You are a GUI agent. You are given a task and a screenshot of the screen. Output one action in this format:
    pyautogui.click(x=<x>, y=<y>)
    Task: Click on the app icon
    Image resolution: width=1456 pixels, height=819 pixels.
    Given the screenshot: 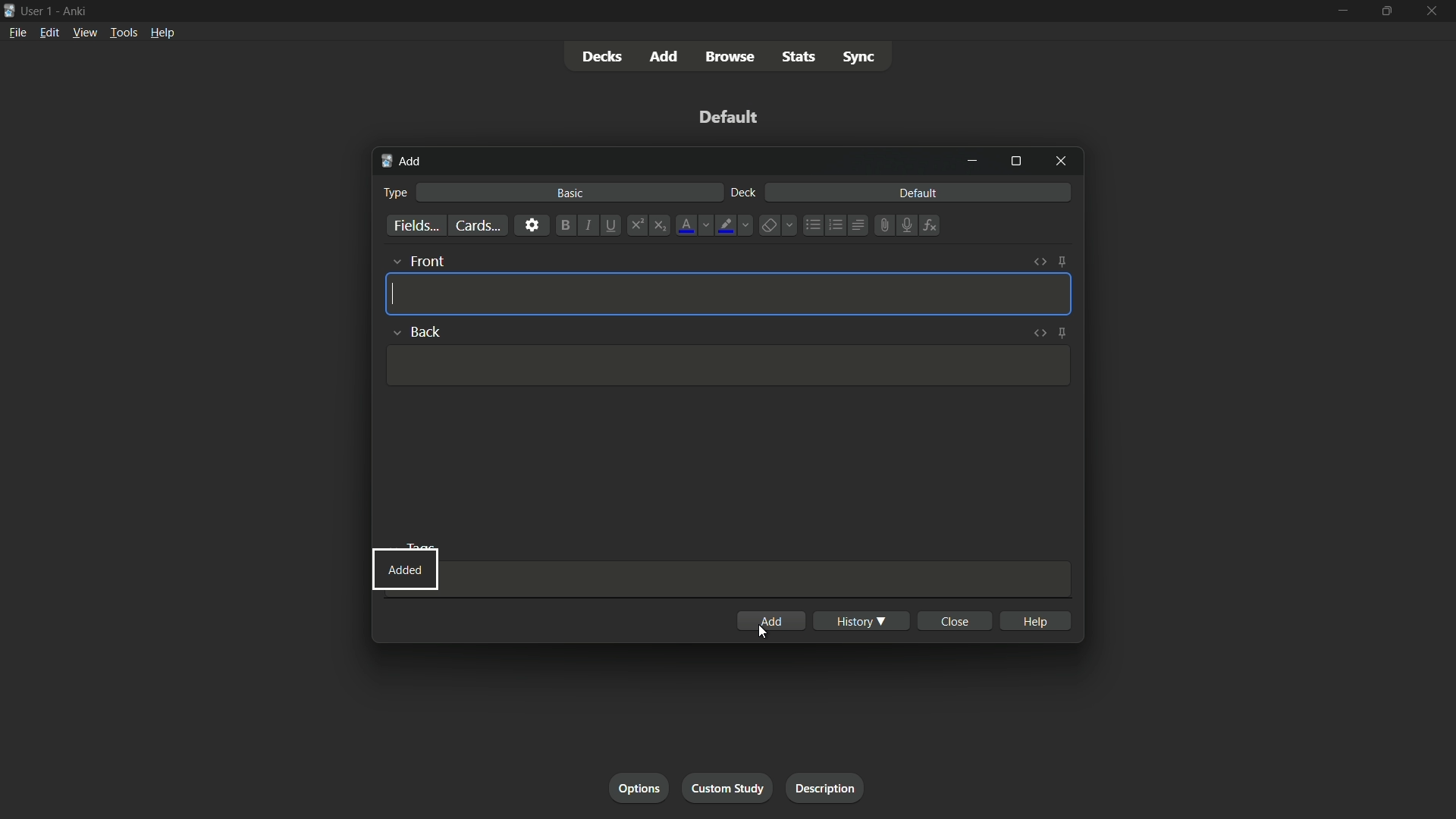 What is the action you would take?
    pyautogui.click(x=9, y=9)
    